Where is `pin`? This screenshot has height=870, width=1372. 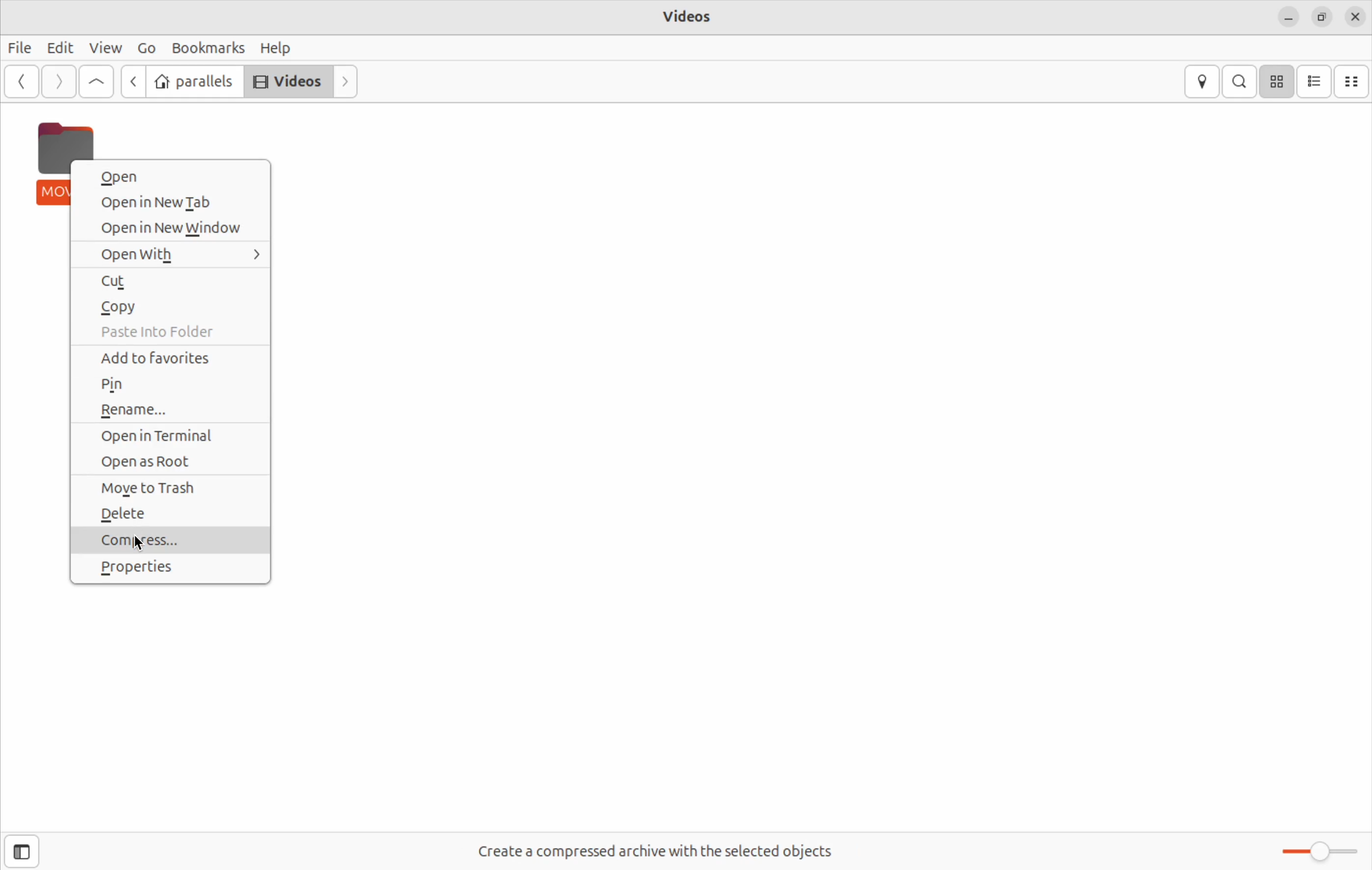 pin is located at coordinates (166, 385).